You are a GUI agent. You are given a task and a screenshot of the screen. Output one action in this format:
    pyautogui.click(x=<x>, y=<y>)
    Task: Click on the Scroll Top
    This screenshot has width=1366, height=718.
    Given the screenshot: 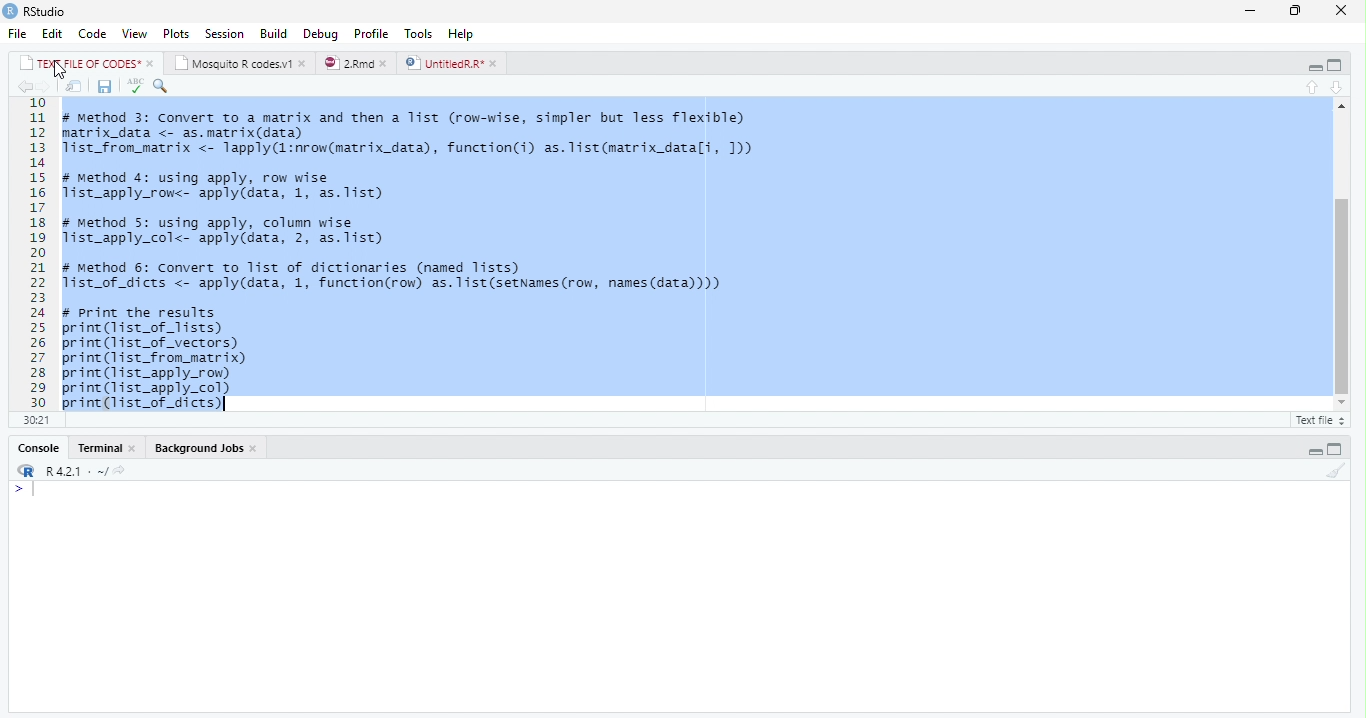 What is the action you would take?
    pyautogui.click(x=1339, y=106)
    